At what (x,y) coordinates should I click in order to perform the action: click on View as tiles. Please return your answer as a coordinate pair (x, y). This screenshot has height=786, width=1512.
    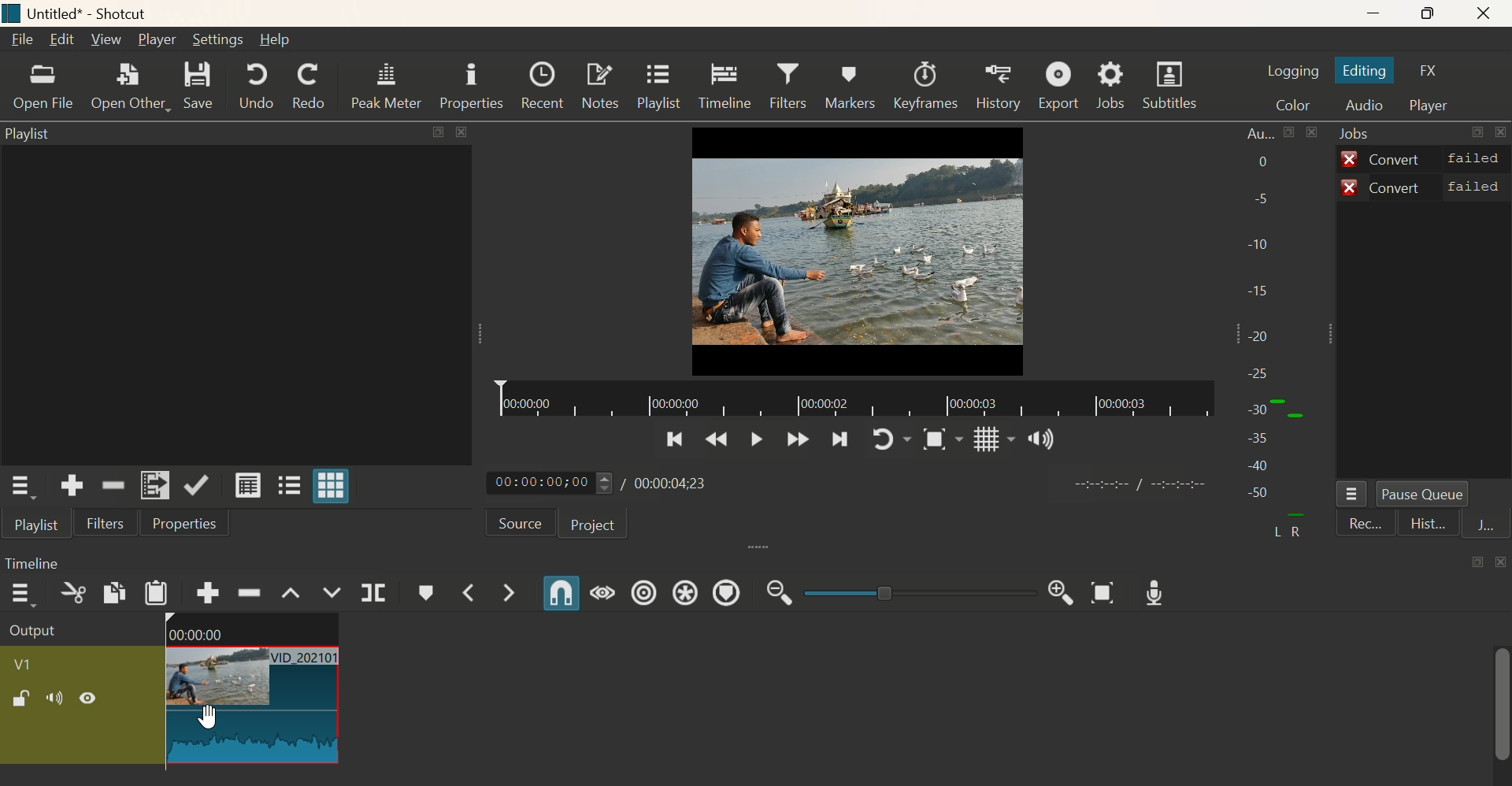
    Looking at the image, I should click on (291, 484).